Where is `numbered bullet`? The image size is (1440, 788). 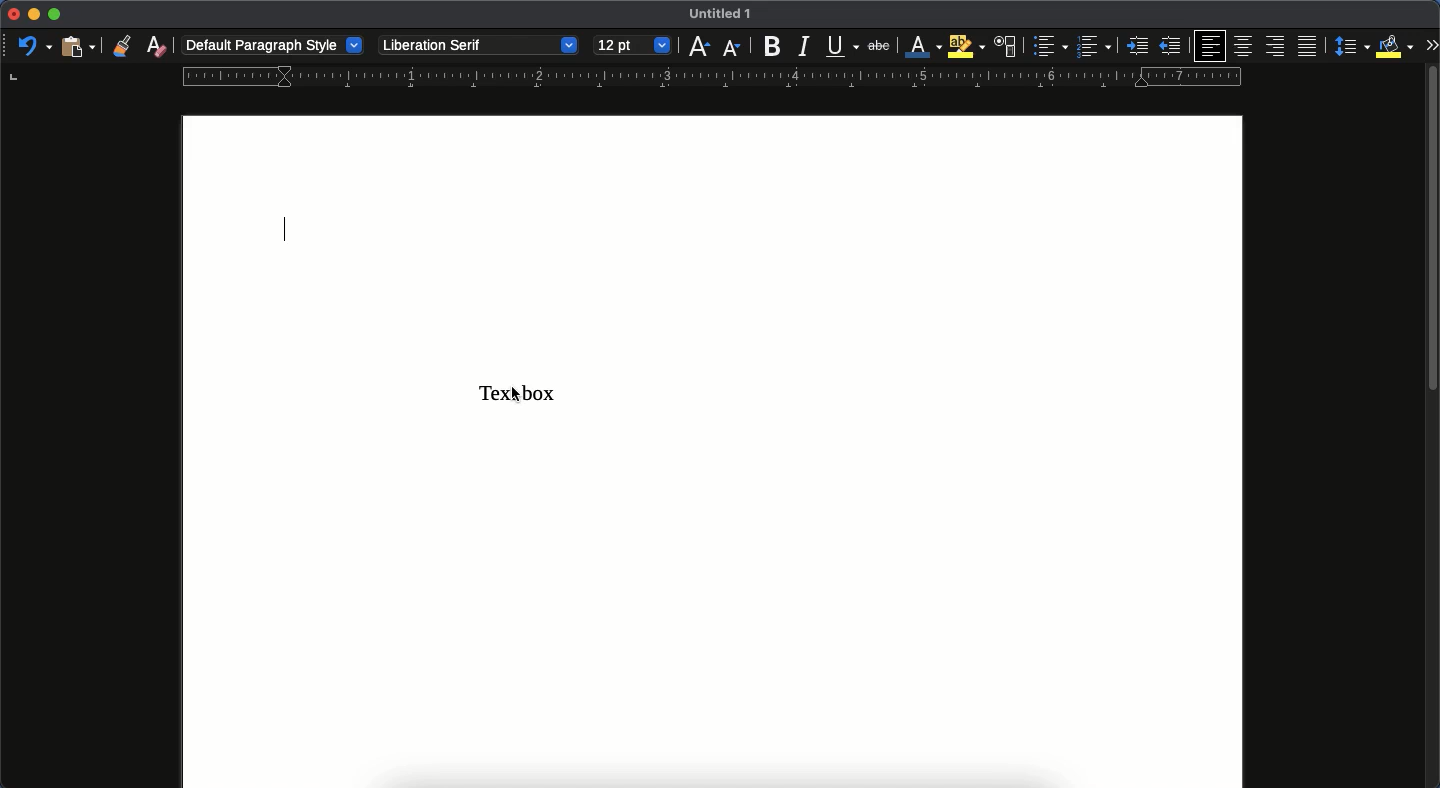
numbered bullet is located at coordinates (1091, 47).